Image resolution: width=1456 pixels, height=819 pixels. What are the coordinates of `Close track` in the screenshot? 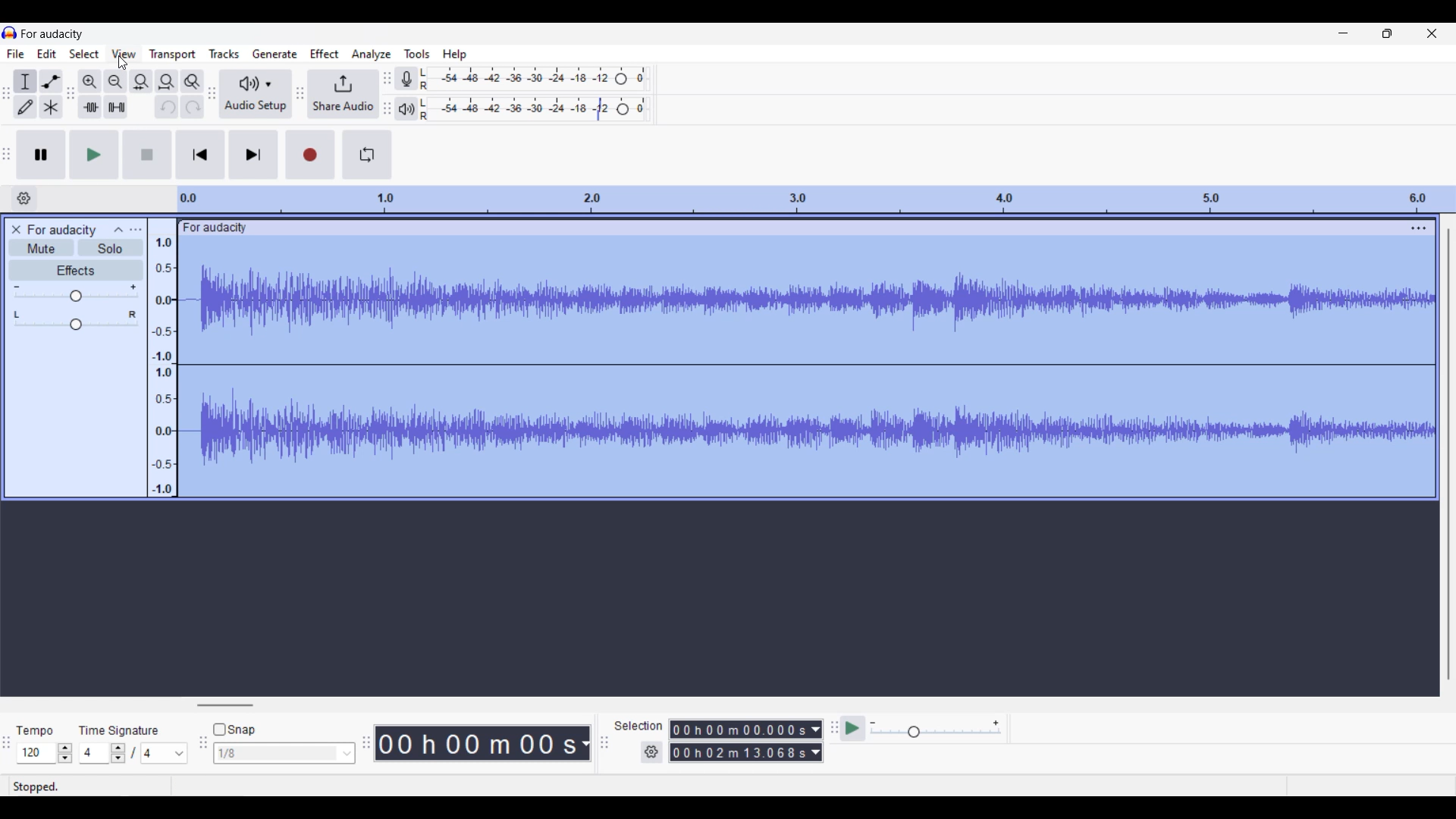 It's located at (16, 230).